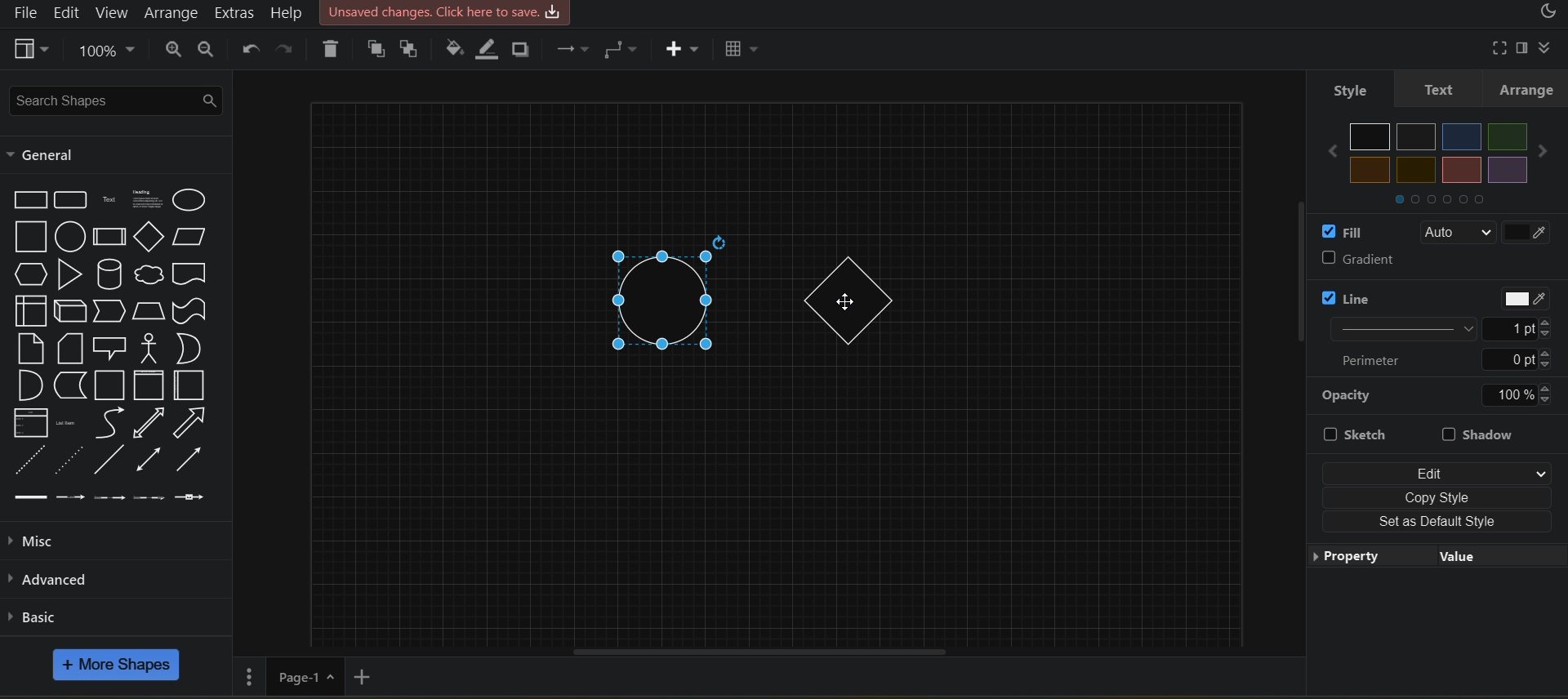 This screenshot has height=699, width=1568. What do you see at coordinates (113, 96) in the screenshot?
I see `search shapes` at bounding box center [113, 96].